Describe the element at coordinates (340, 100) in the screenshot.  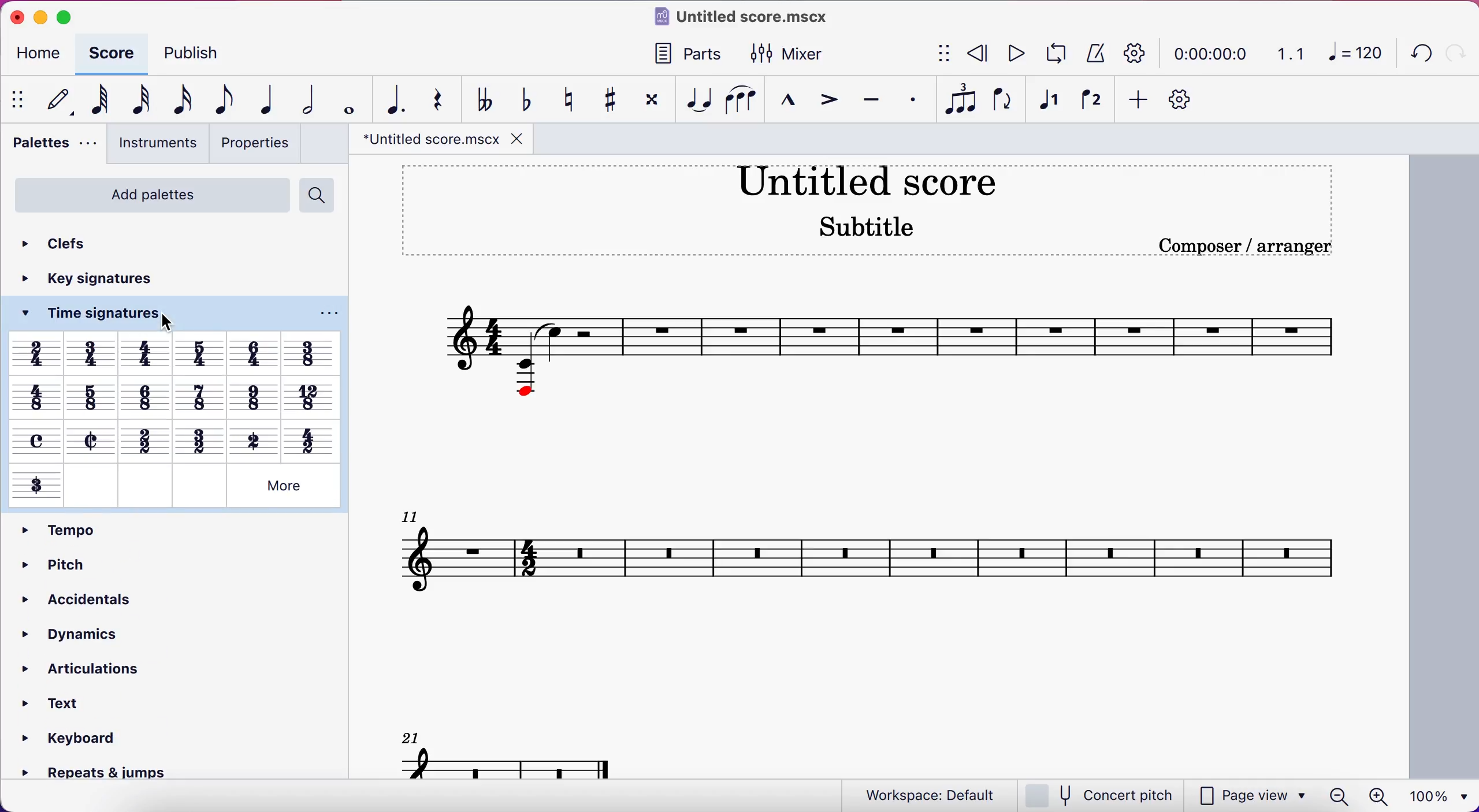
I see `whole note` at that location.